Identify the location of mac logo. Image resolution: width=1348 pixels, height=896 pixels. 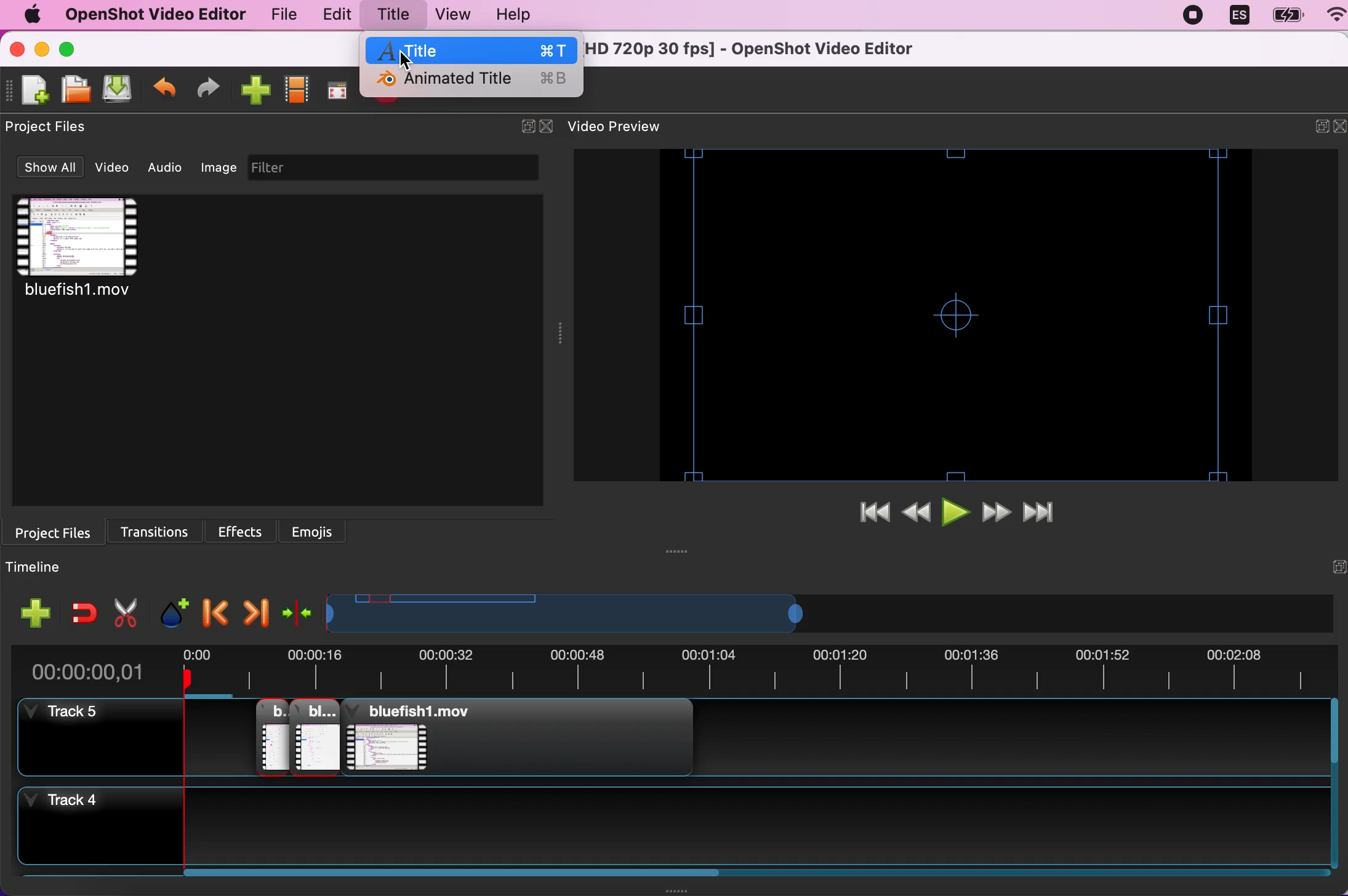
(28, 15).